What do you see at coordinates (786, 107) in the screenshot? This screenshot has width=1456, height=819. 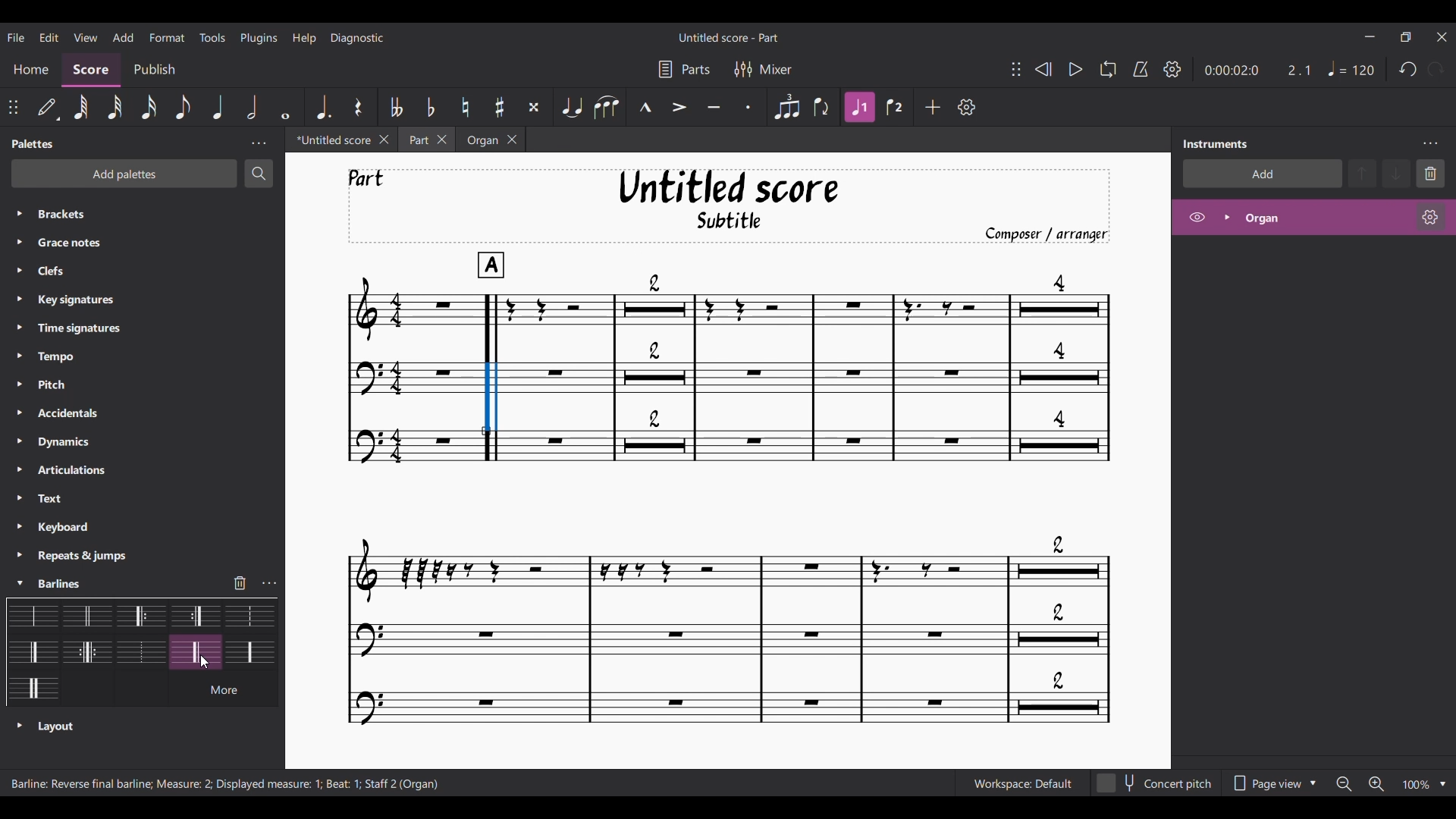 I see `Tuplet` at bounding box center [786, 107].